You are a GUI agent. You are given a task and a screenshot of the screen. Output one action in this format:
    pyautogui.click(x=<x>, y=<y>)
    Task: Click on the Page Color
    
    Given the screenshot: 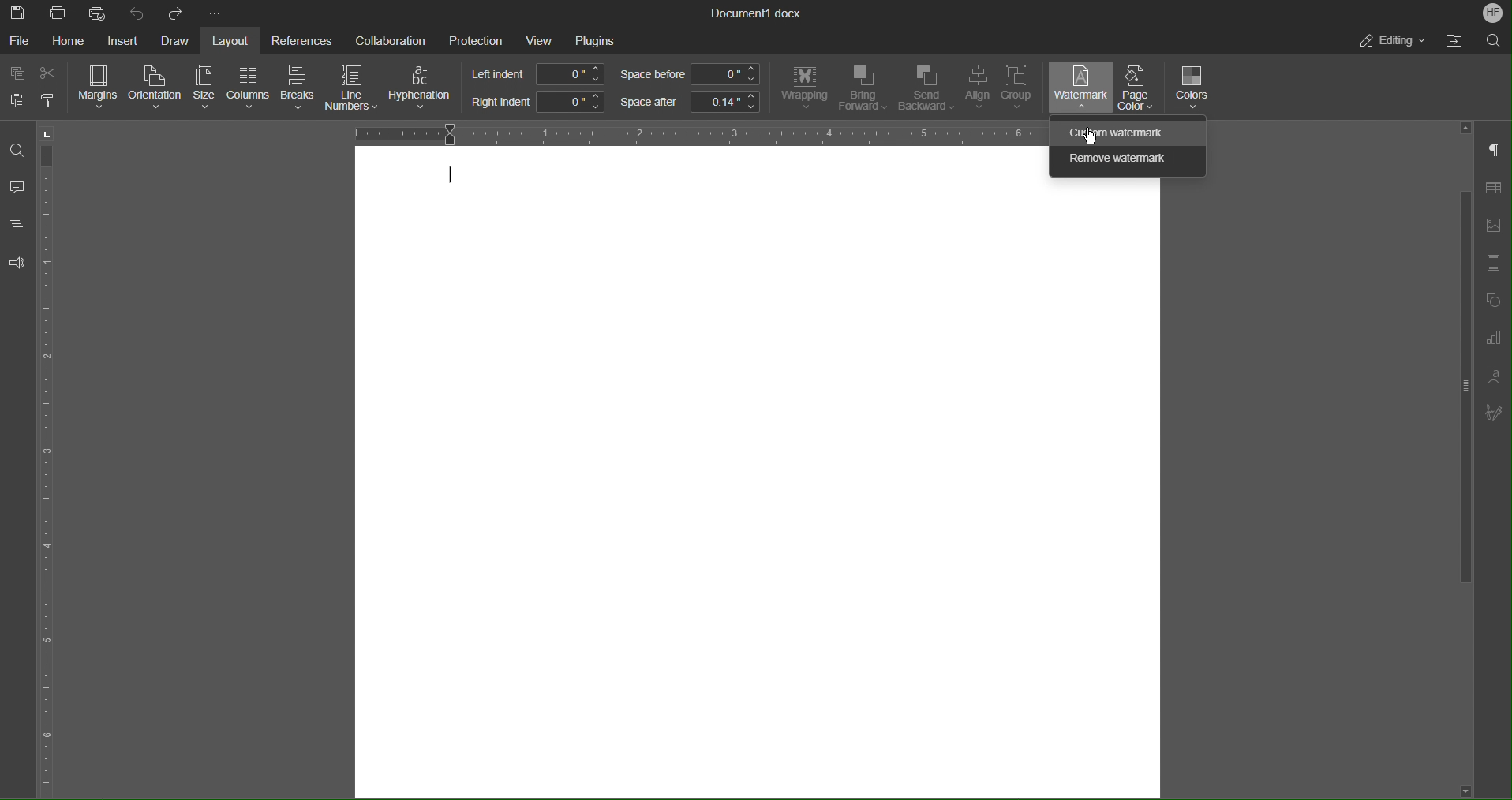 What is the action you would take?
    pyautogui.click(x=1141, y=88)
    